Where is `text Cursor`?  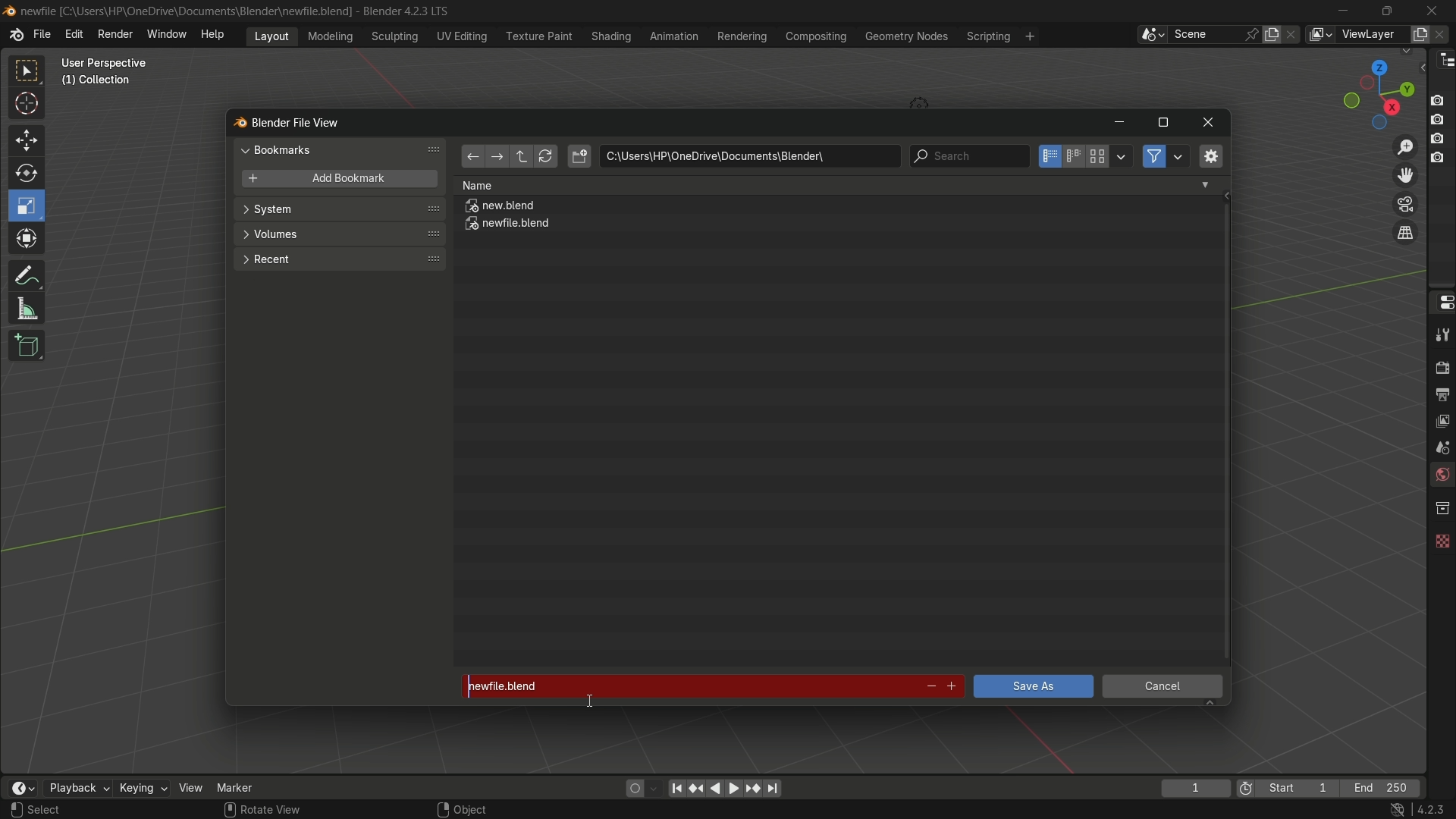
text Cursor is located at coordinates (591, 703).